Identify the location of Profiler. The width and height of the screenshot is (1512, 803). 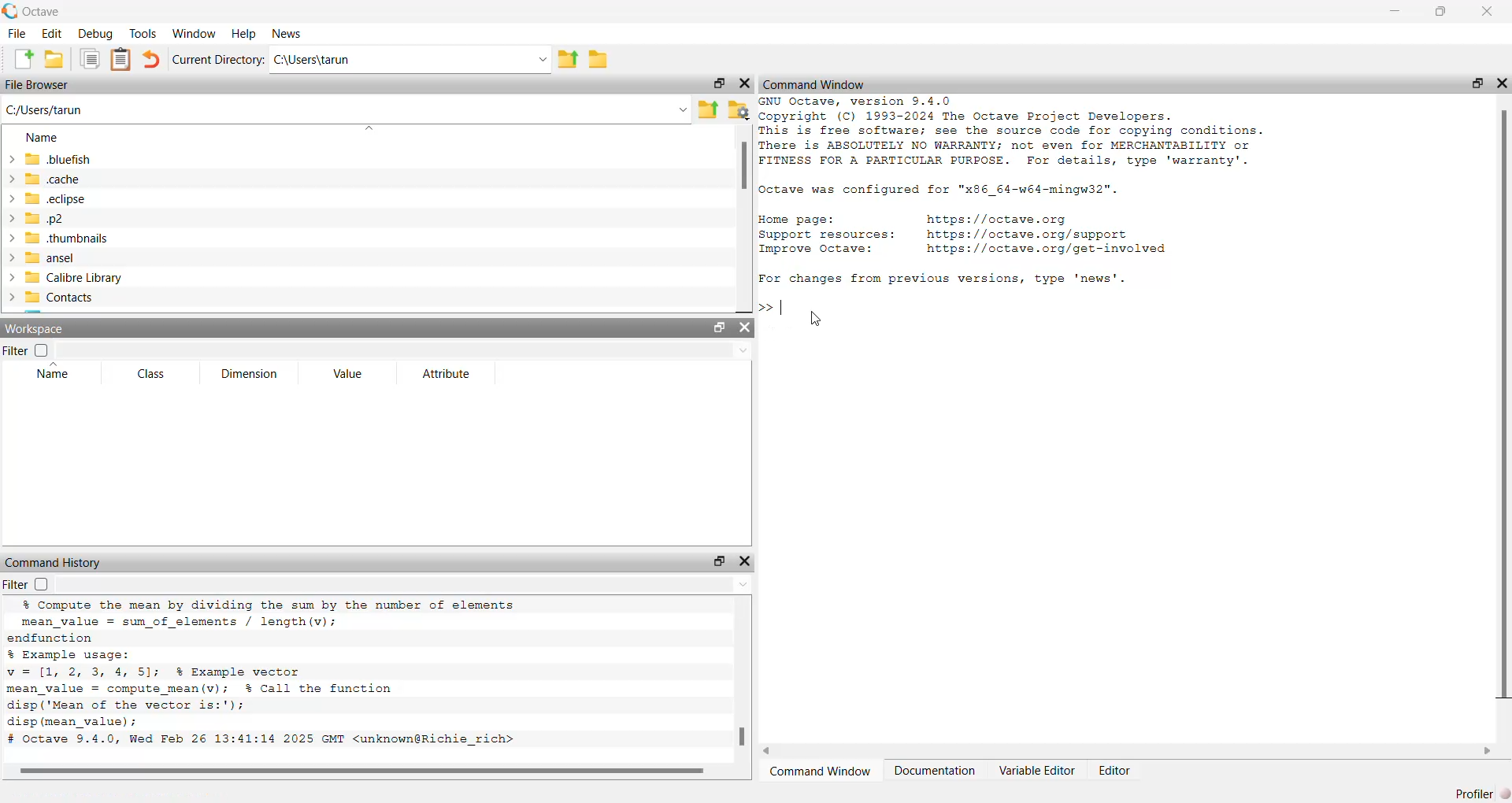
(1482, 794).